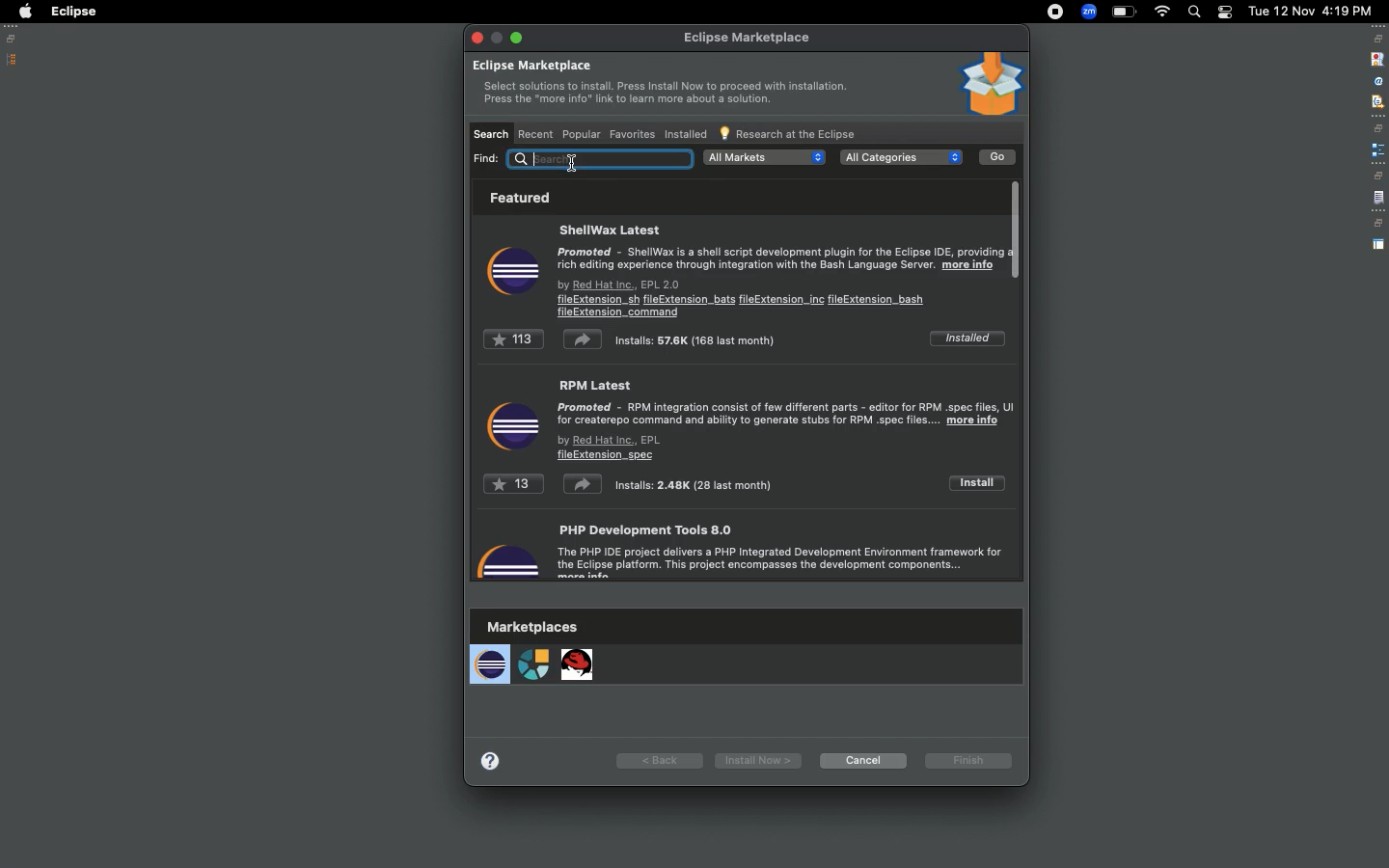 This screenshot has width=1389, height=868. Describe the element at coordinates (860, 760) in the screenshot. I see `Cancel` at that location.